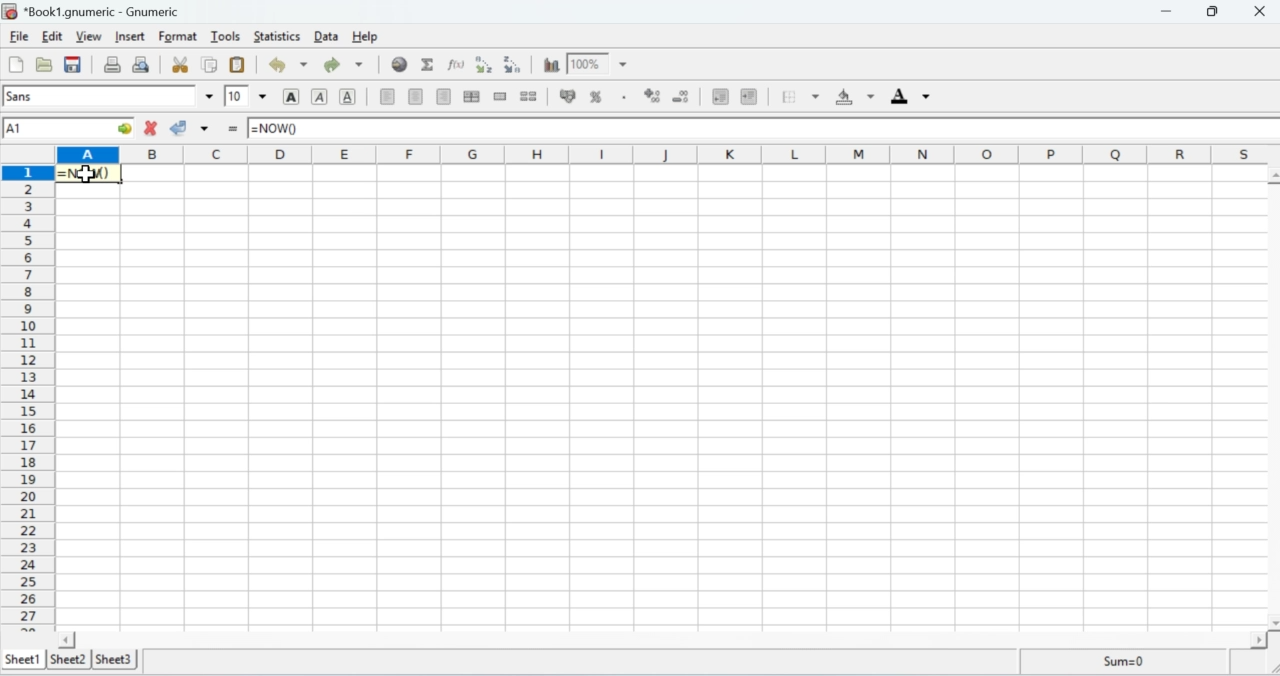  Describe the element at coordinates (19, 36) in the screenshot. I see `File` at that location.